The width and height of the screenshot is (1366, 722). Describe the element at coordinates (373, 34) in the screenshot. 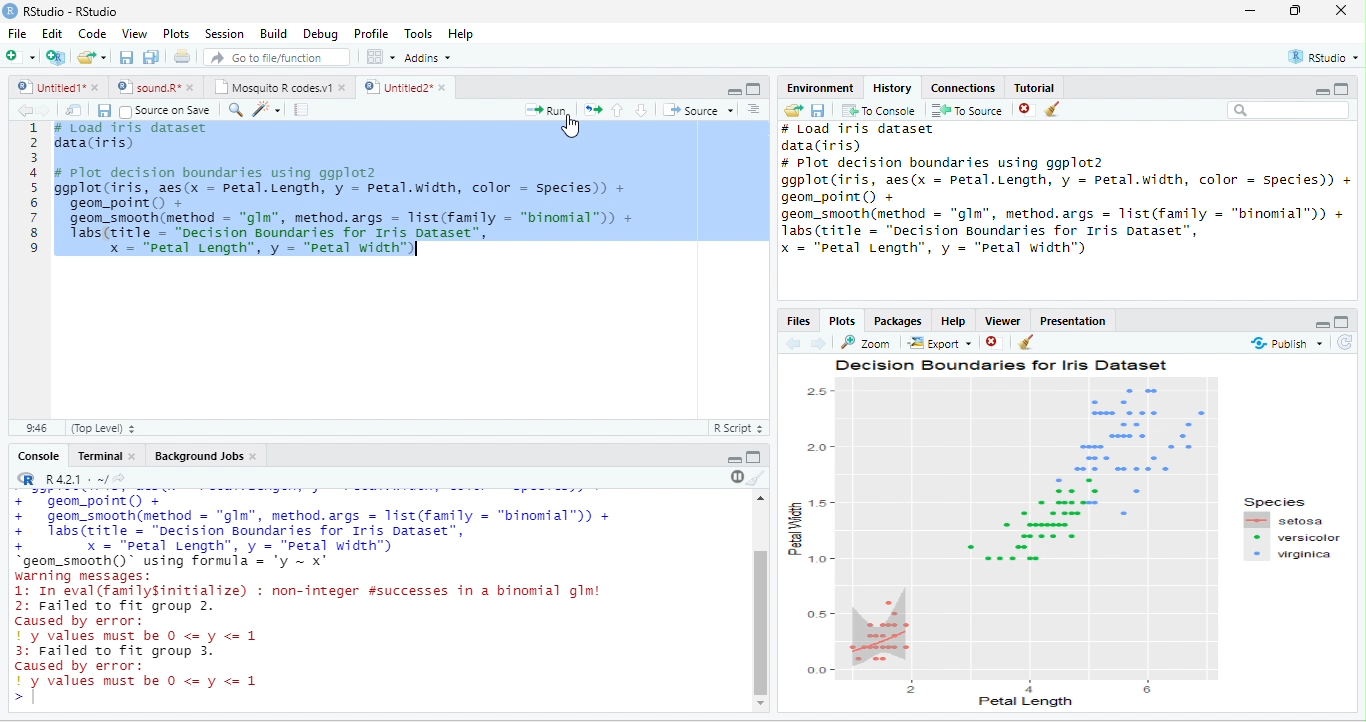

I see `Profile` at that location.